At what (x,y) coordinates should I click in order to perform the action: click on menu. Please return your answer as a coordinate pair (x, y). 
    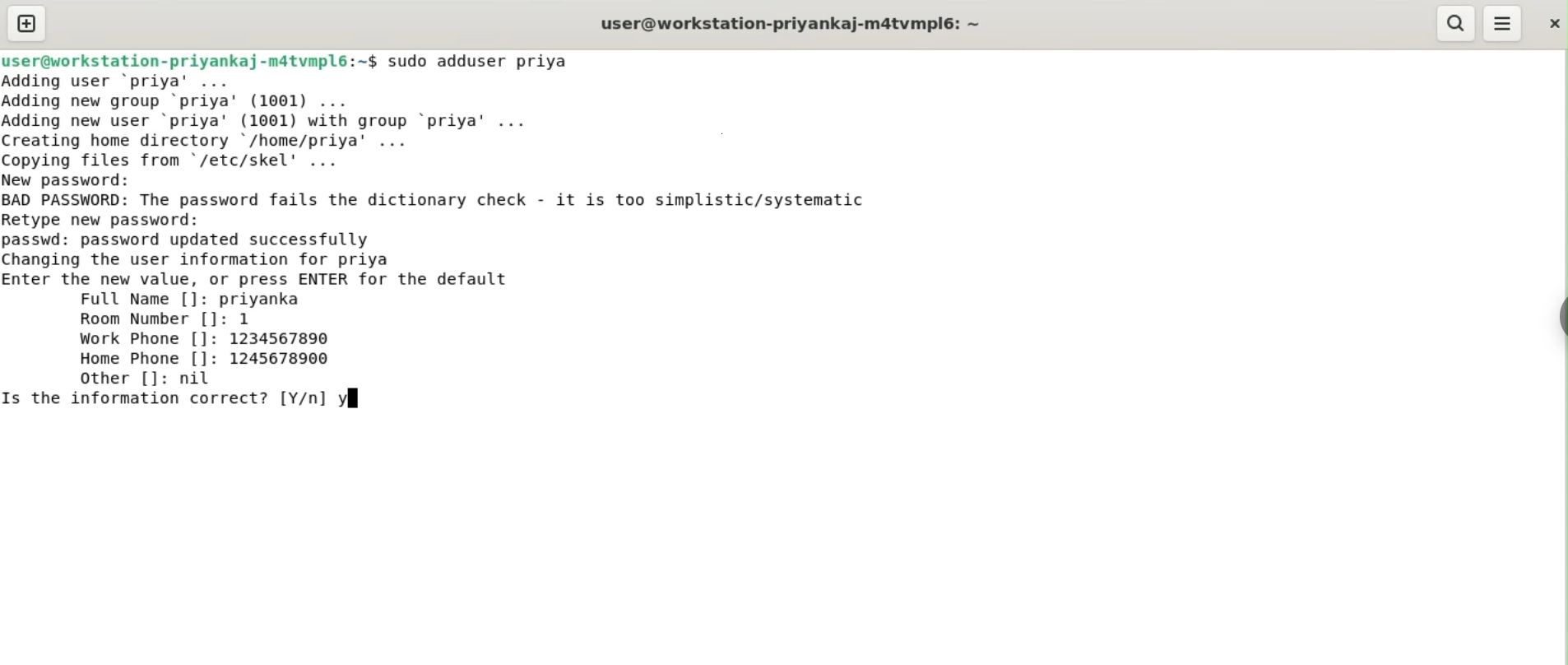
    Looking at the image, I should click on (1504, 24).